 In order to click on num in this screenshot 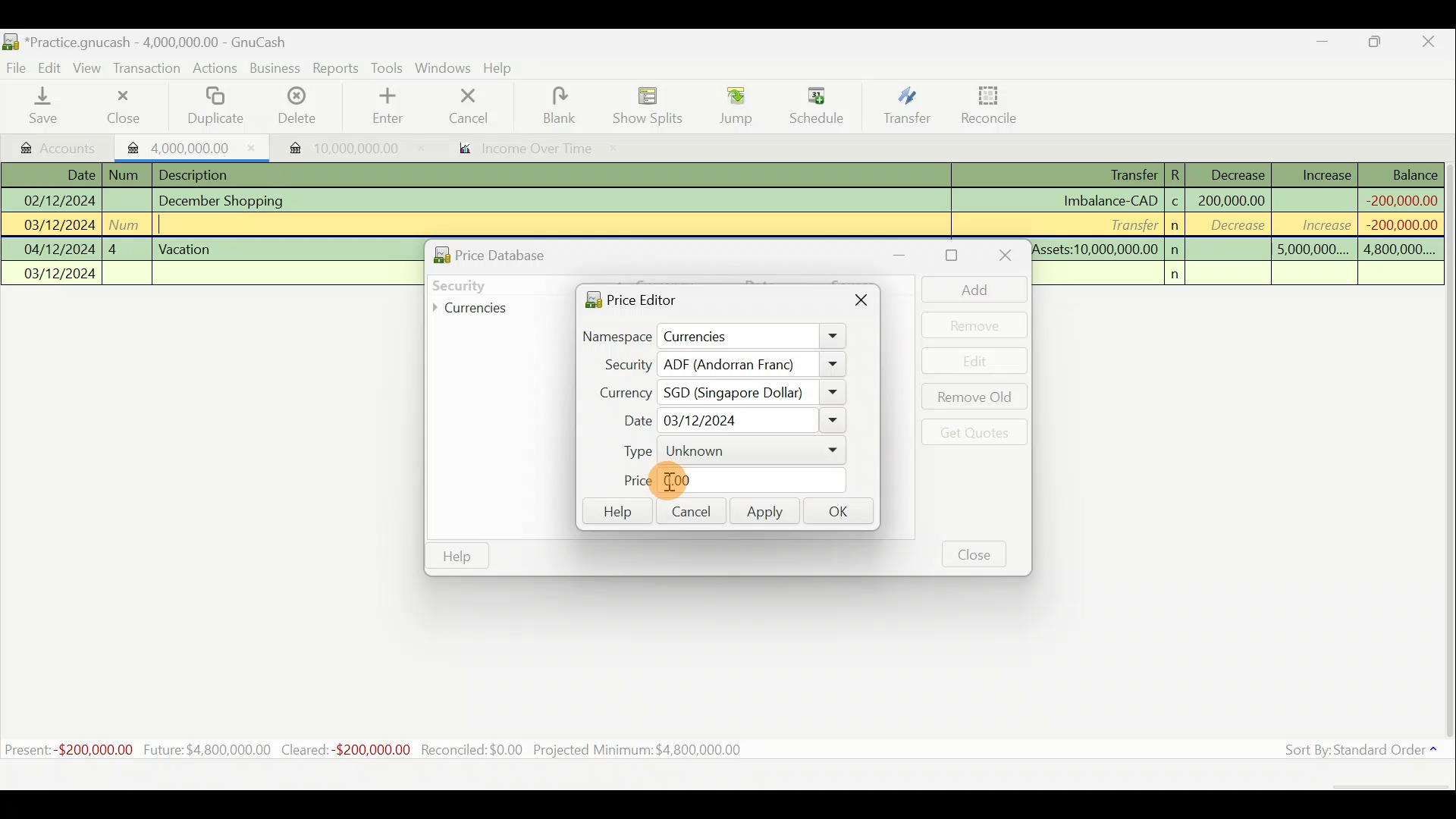, I will do `click(127, 175)`.